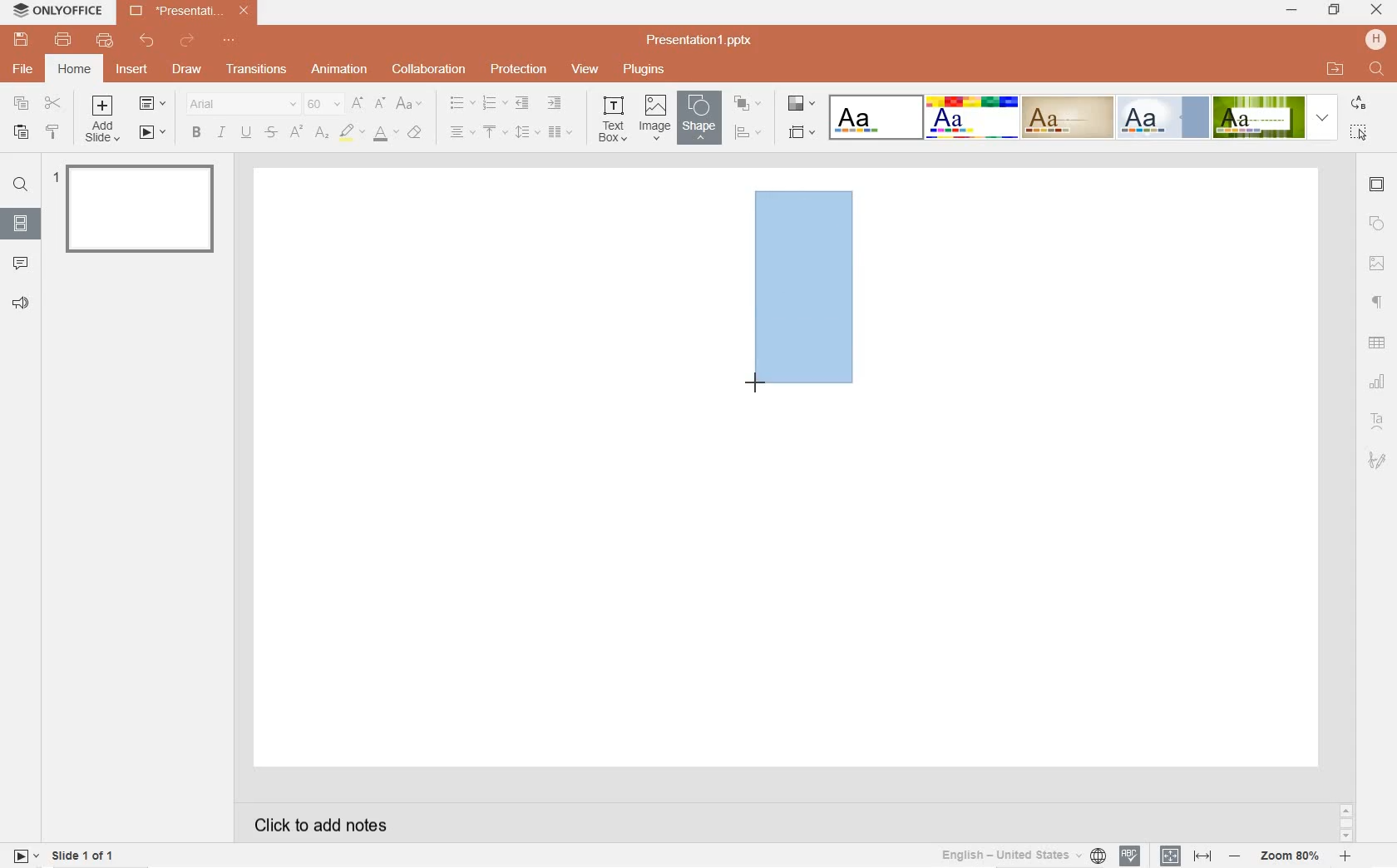 The width and height of the screenshot is (1397, 868). Describe the element at coordinates (221, 132) in the screenshot. I see `italic` at that location.